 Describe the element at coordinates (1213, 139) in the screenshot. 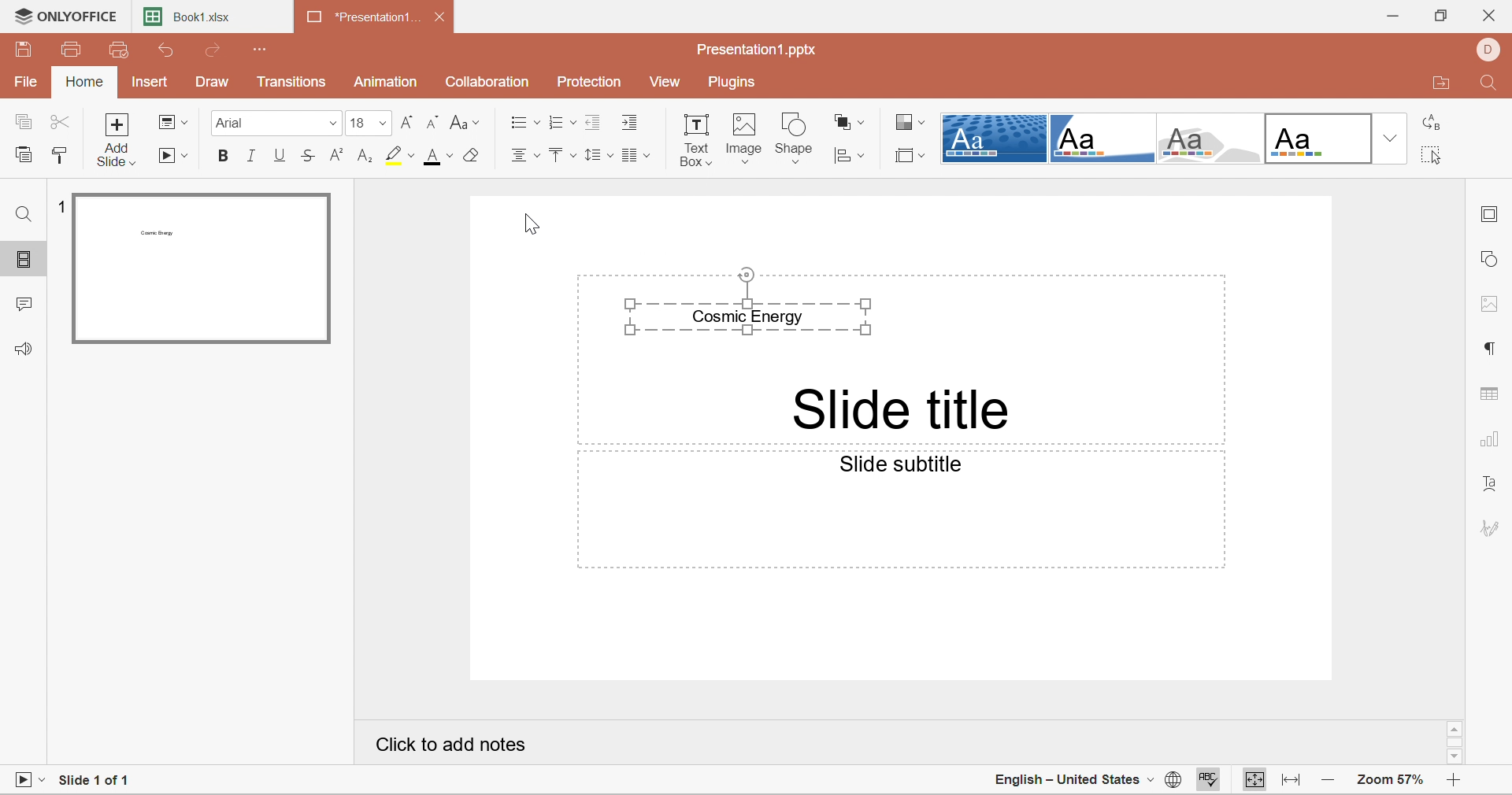

I see `Turtle` at that location.